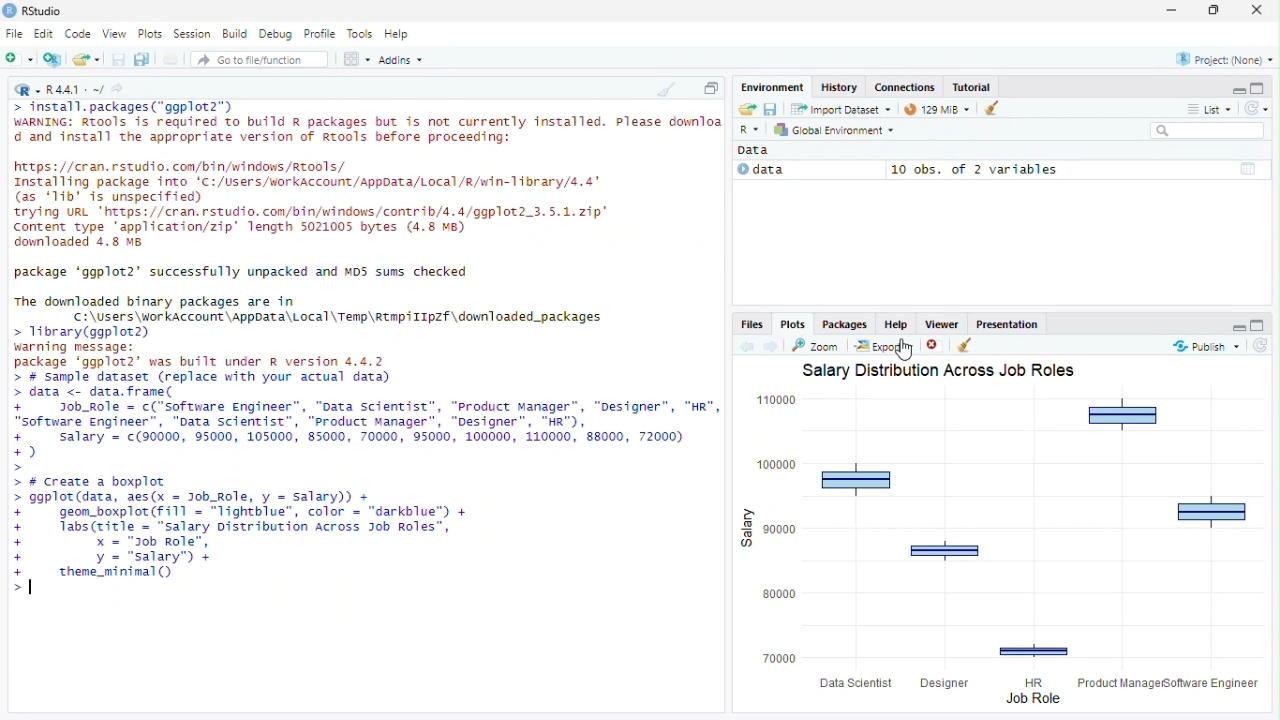 Image resolution: width=1280 pixels, height=720 pixels. Describe the element at coordinates (905, 351) in the screenshot. I see `cursor` at that location.